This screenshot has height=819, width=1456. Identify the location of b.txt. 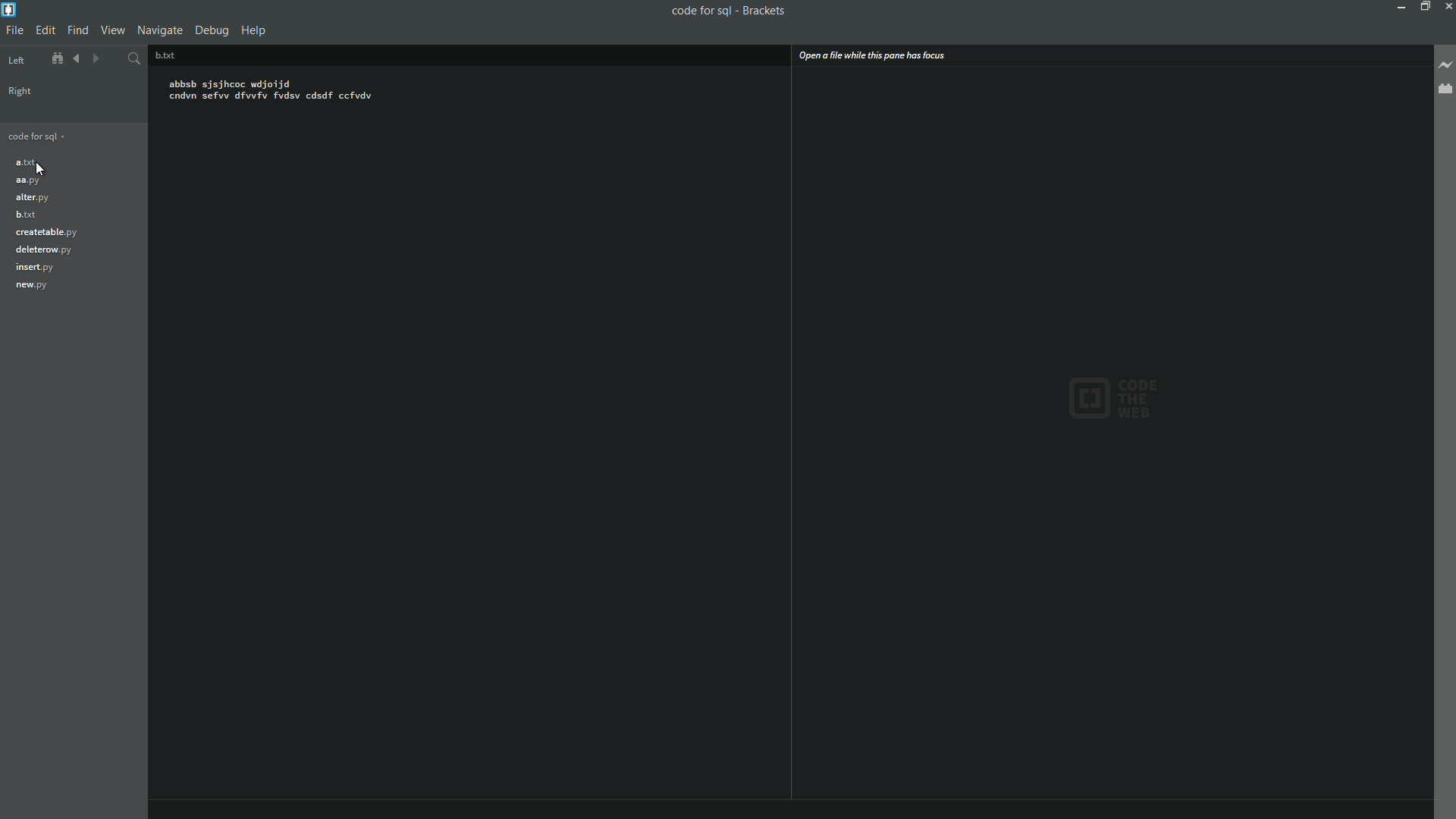
(24, 214).